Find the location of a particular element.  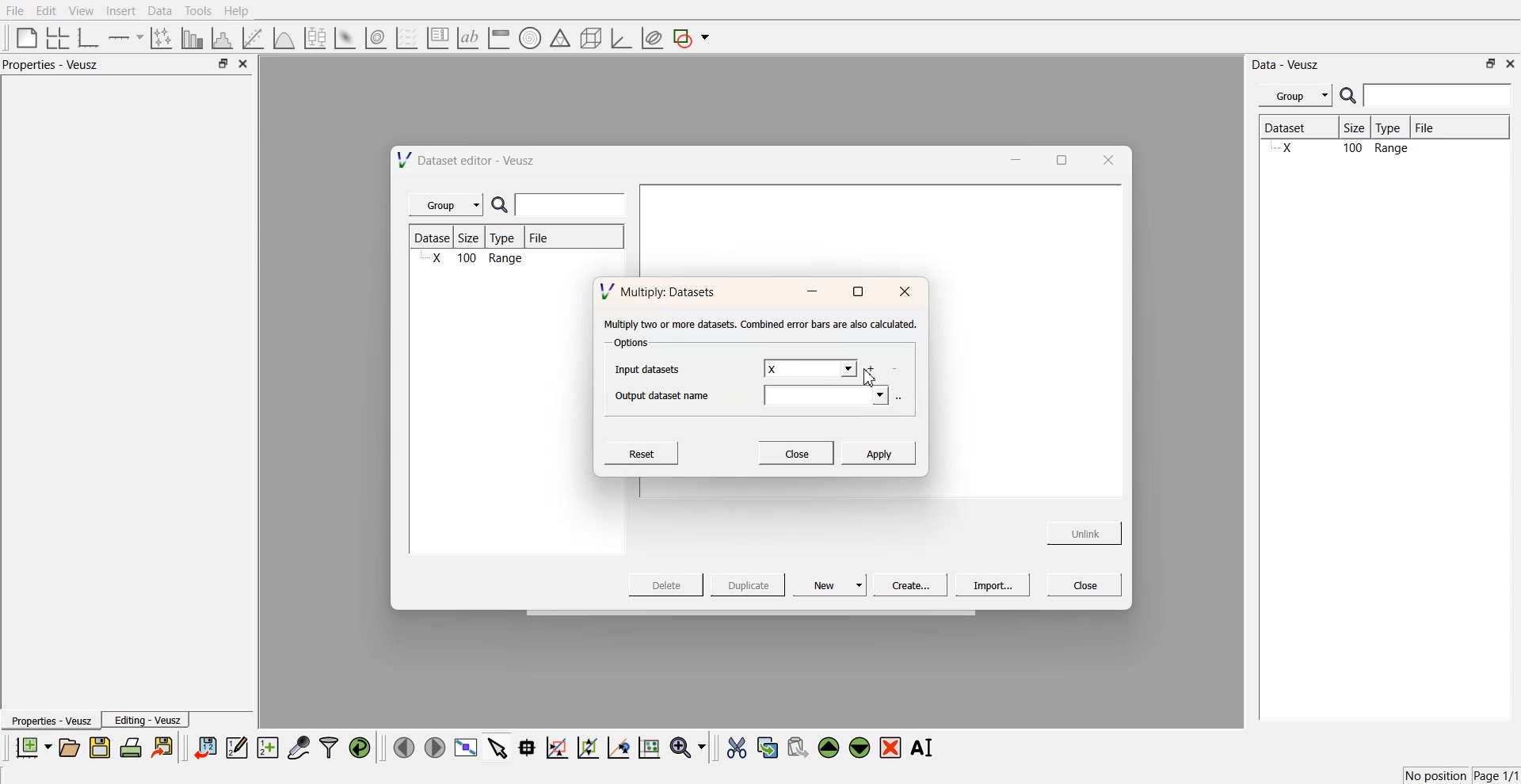

close is located at coordinates (244, 64).